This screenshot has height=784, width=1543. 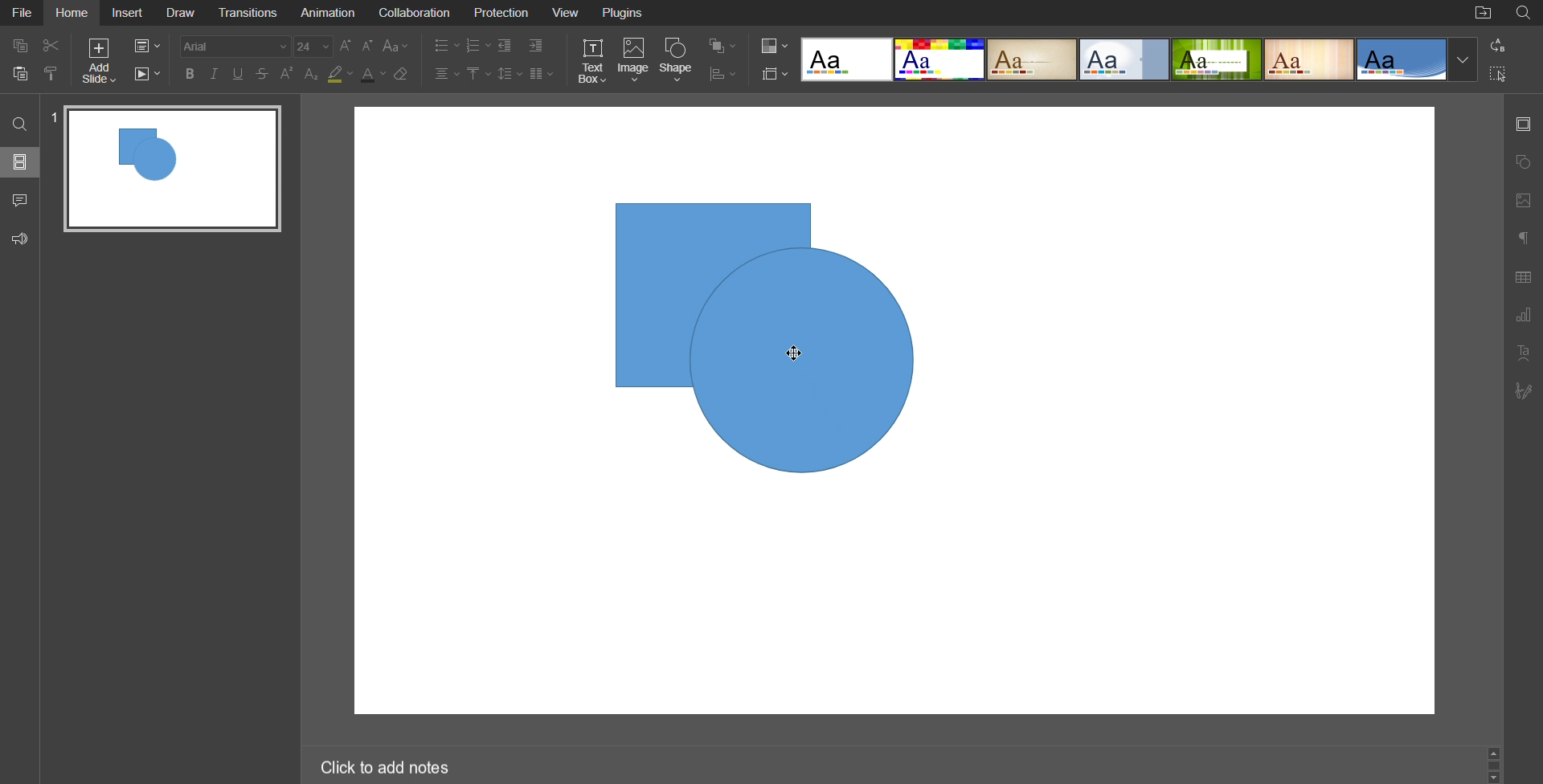 I want to click on Alignment, so click(x=445, y=73).